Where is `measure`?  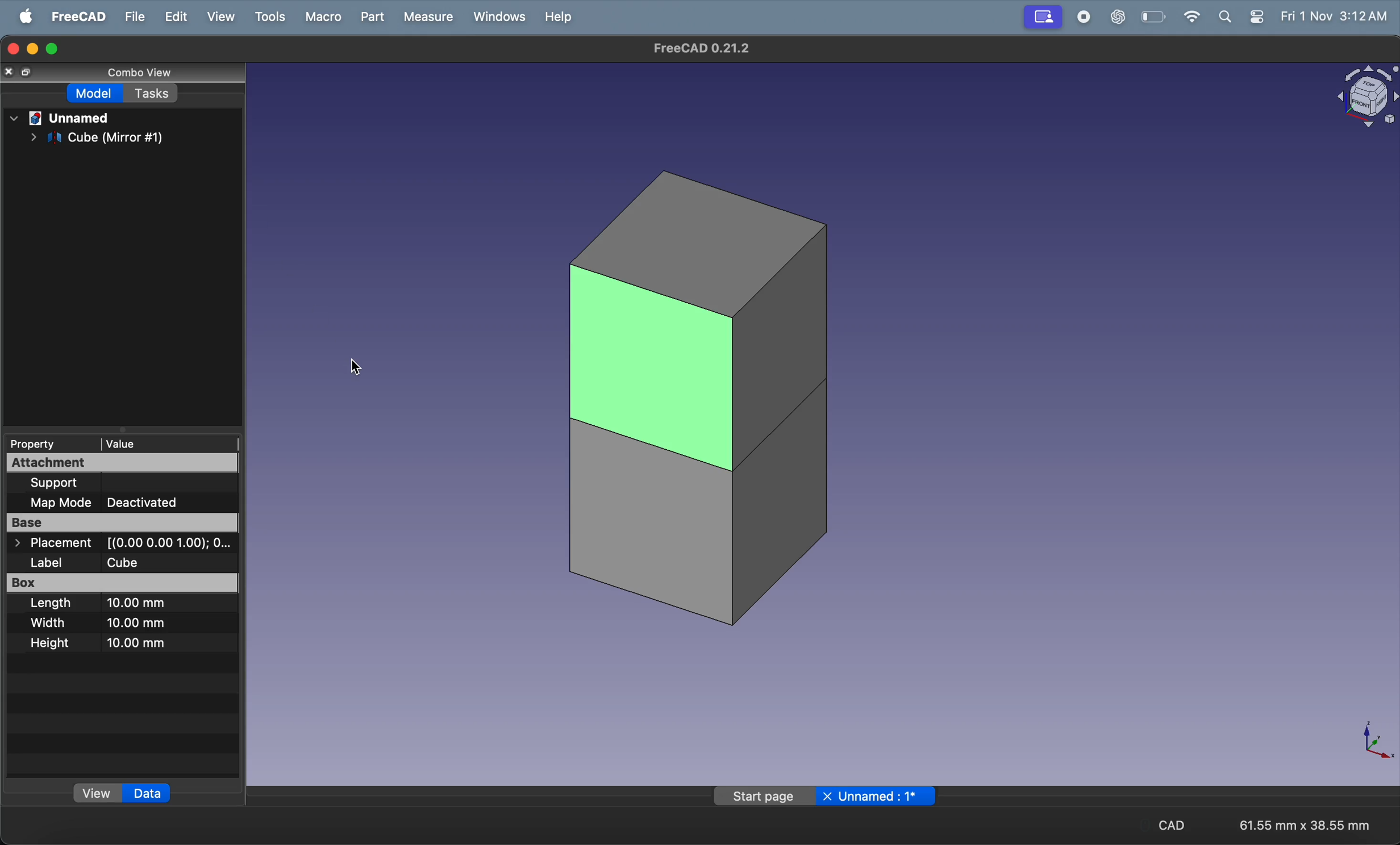
measure is located at coordinates (428, 18).